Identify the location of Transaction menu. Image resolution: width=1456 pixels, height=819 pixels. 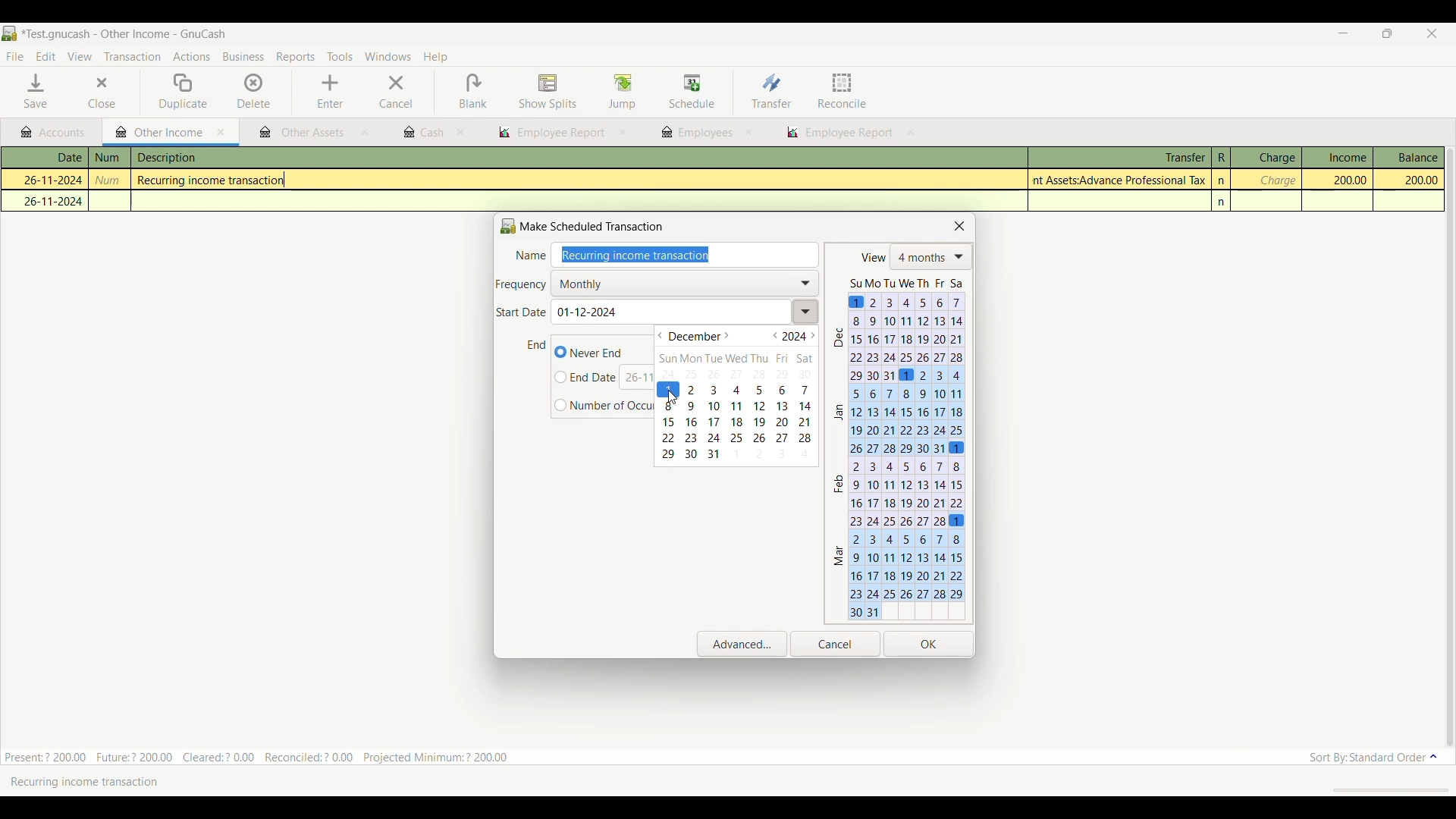
(132, 57).